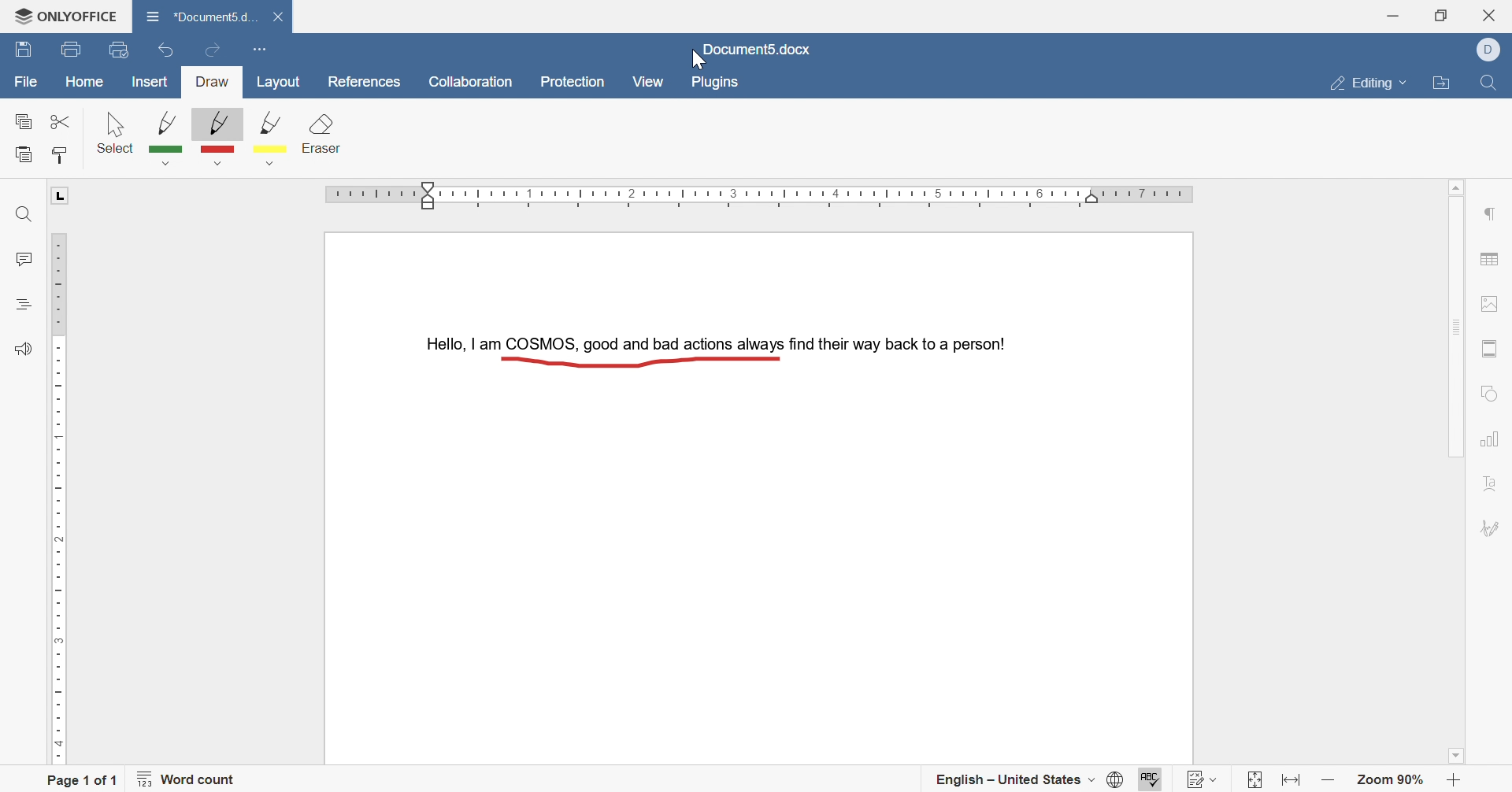 This screenshot has height=792, width=1512. What do you see at coordinates (1493, 213) in the screenshot?
I see `paragraph settings` at bounding box center [1493, 213].